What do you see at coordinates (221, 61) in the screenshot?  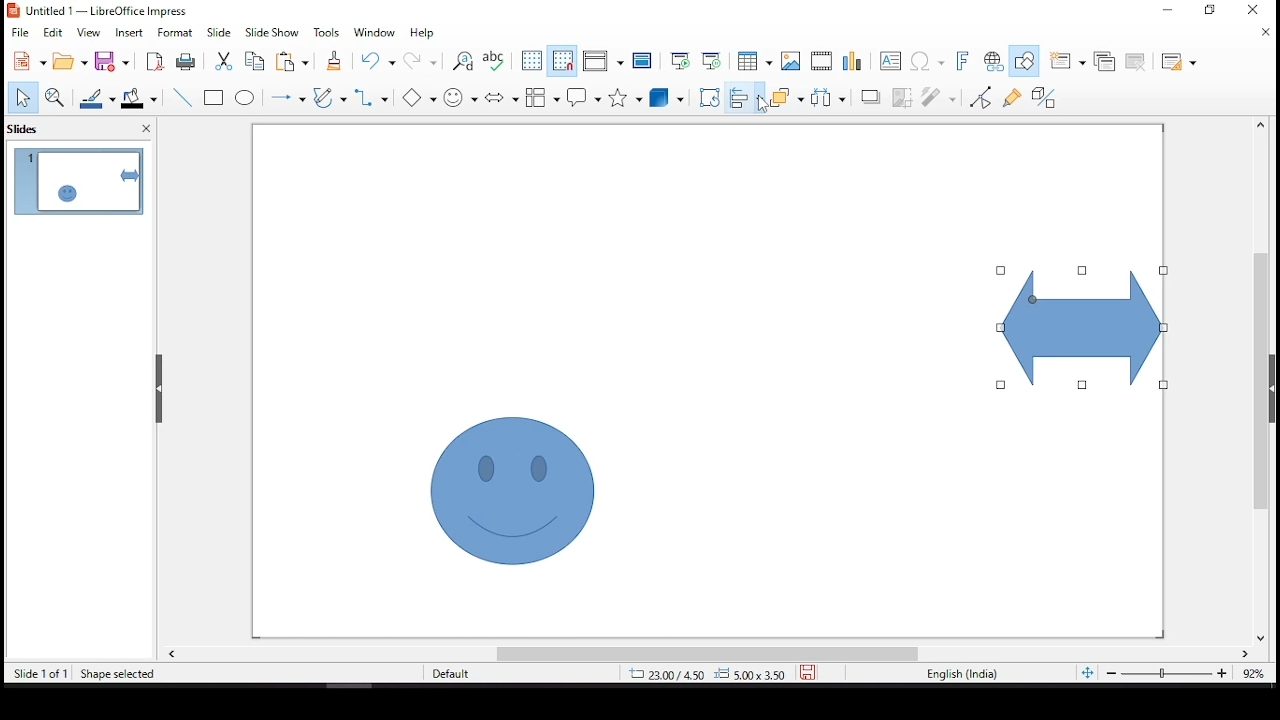 I see `cut` at bounding box center [221, 61].